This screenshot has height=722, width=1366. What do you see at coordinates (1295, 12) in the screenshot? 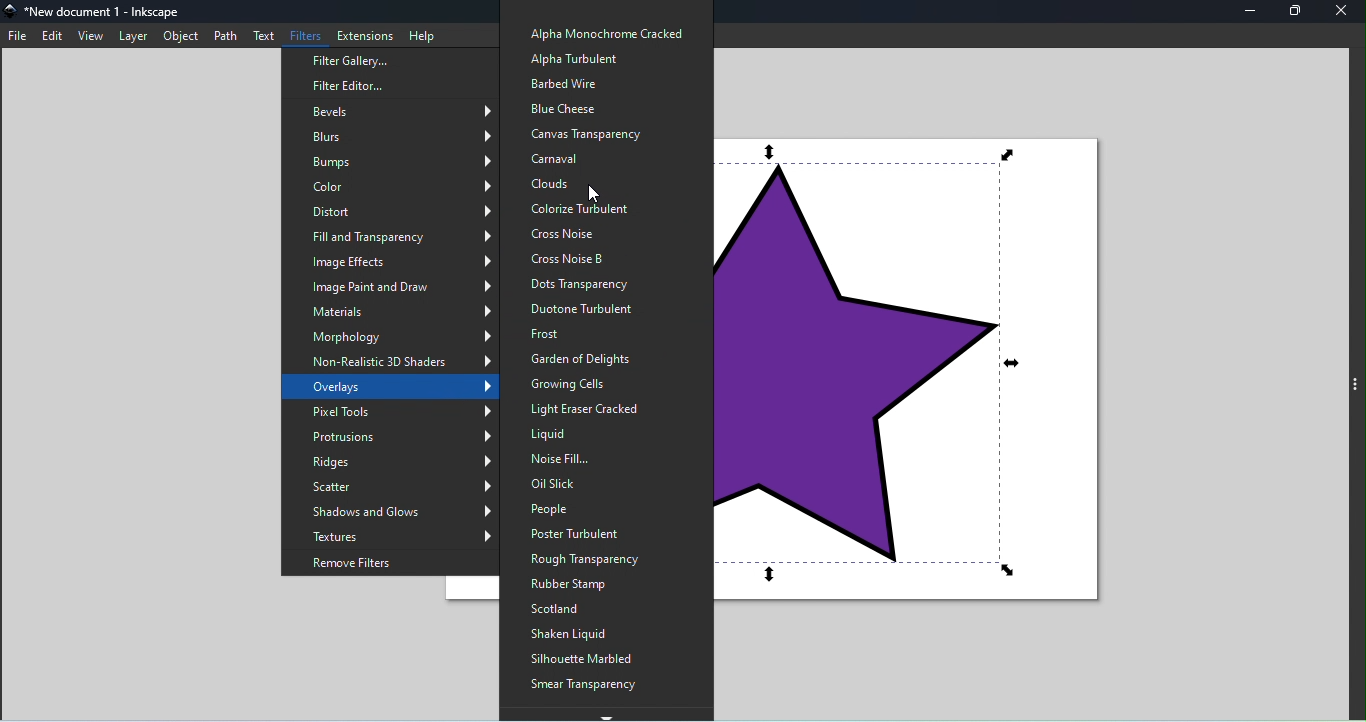
I see `maximize` at bounding box center [1295, 12].